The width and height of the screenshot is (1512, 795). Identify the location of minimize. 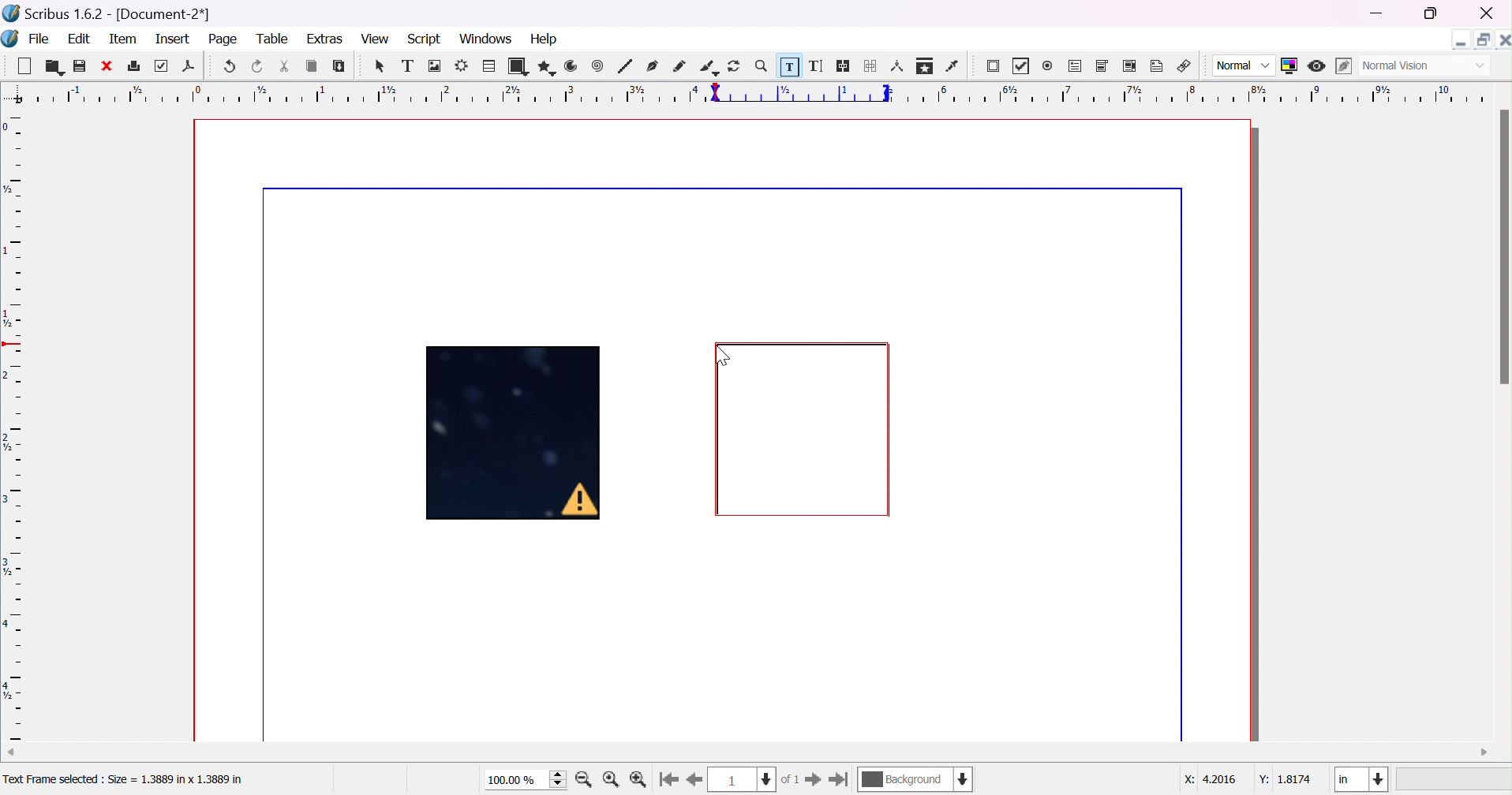
(1461, 39).